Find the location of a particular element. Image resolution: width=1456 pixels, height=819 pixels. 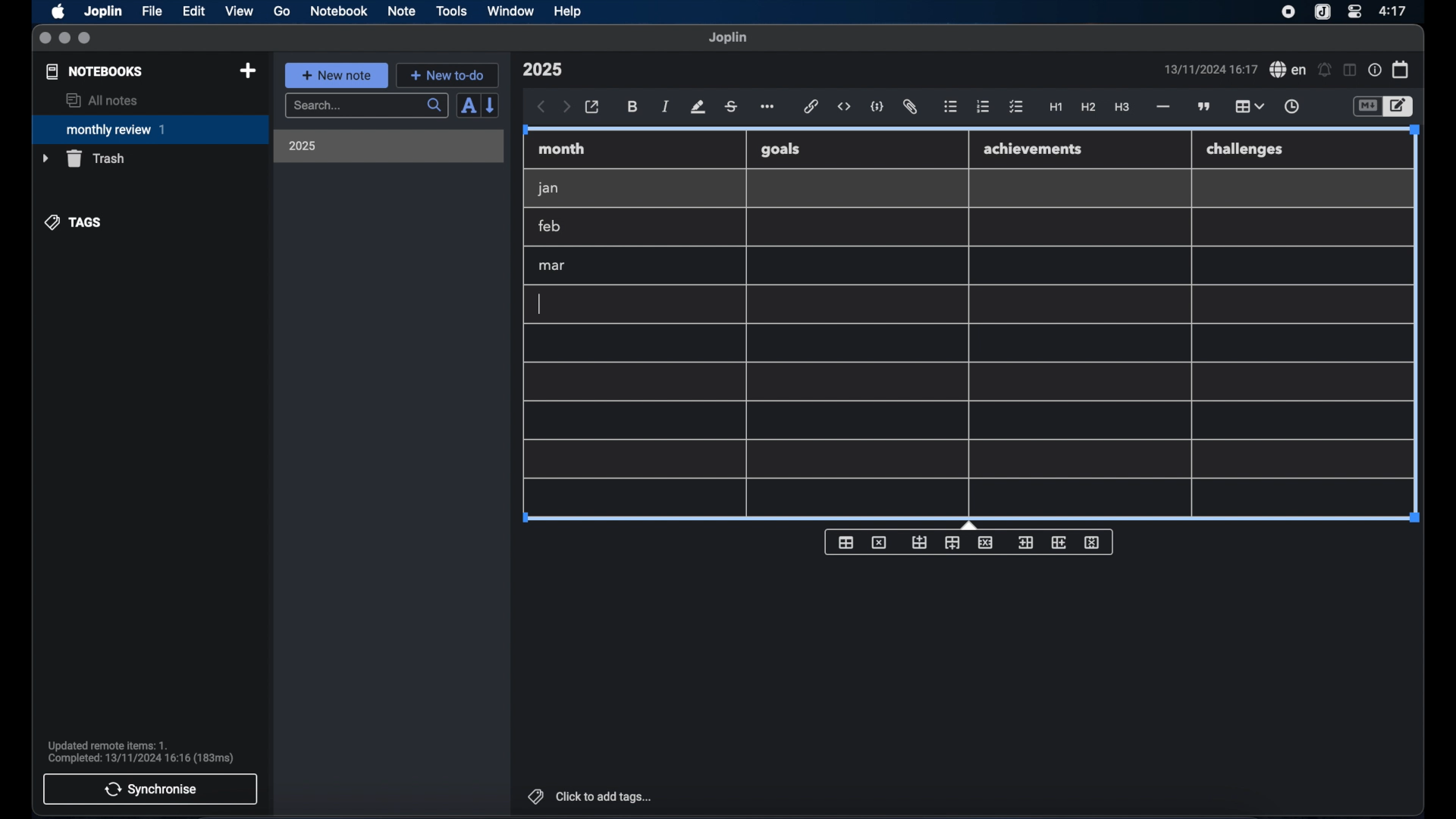

note properties is located at coordinates (1375, 71).